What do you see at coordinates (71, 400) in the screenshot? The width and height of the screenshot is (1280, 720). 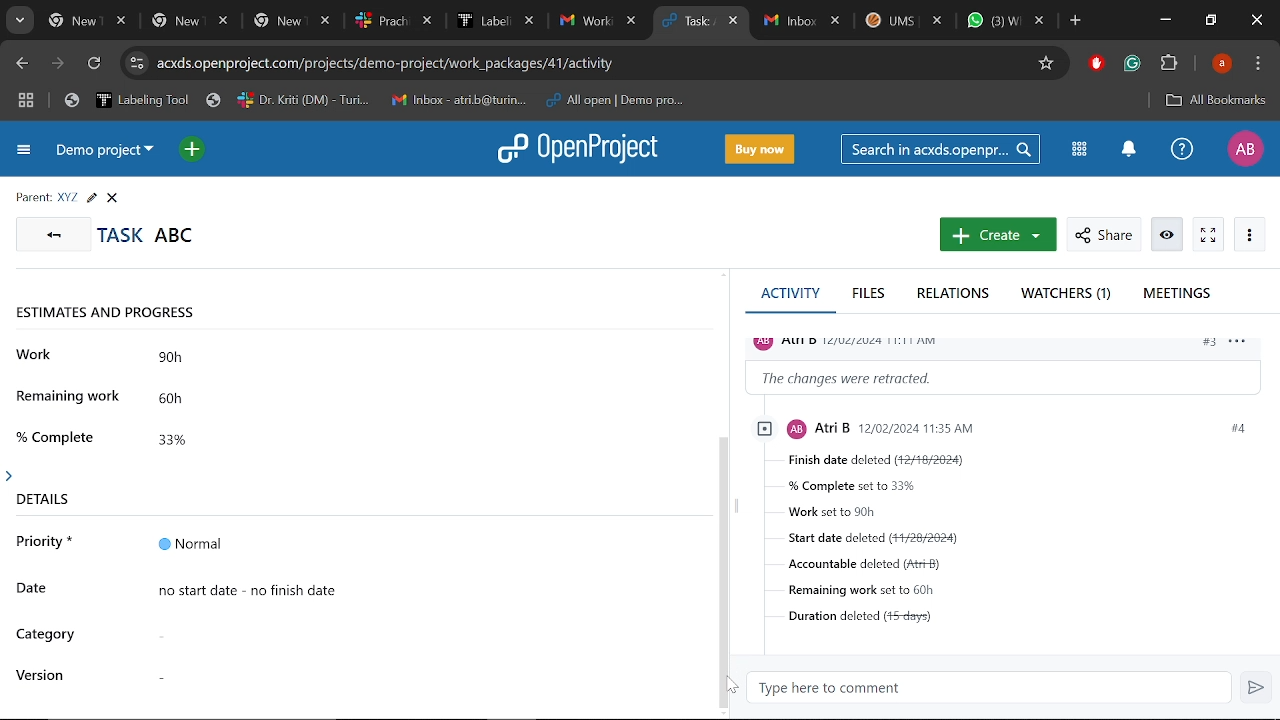 I see `remaining work` at bounding box center [71, 400].